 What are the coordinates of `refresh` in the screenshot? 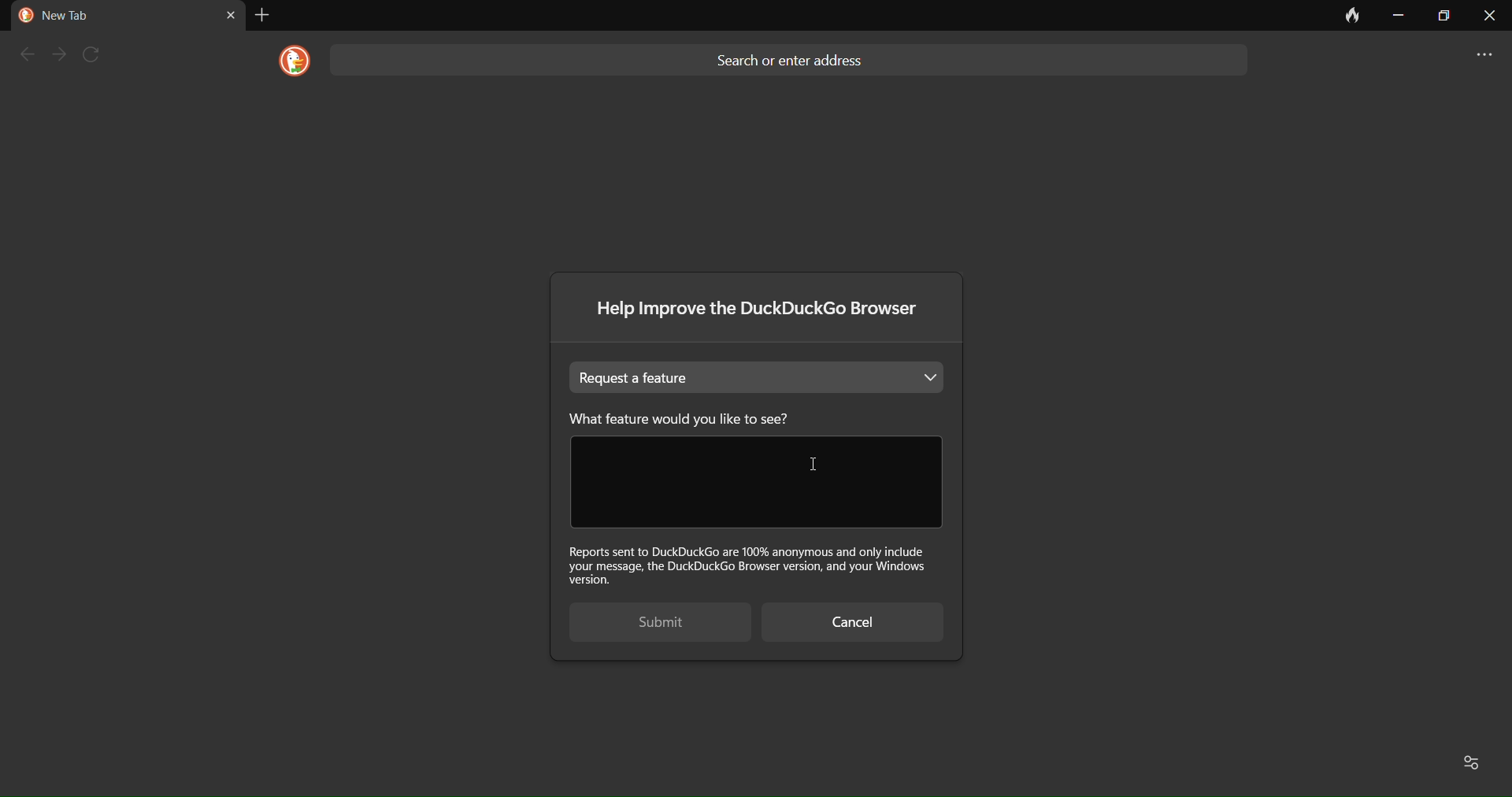 It's located at (98, 54).